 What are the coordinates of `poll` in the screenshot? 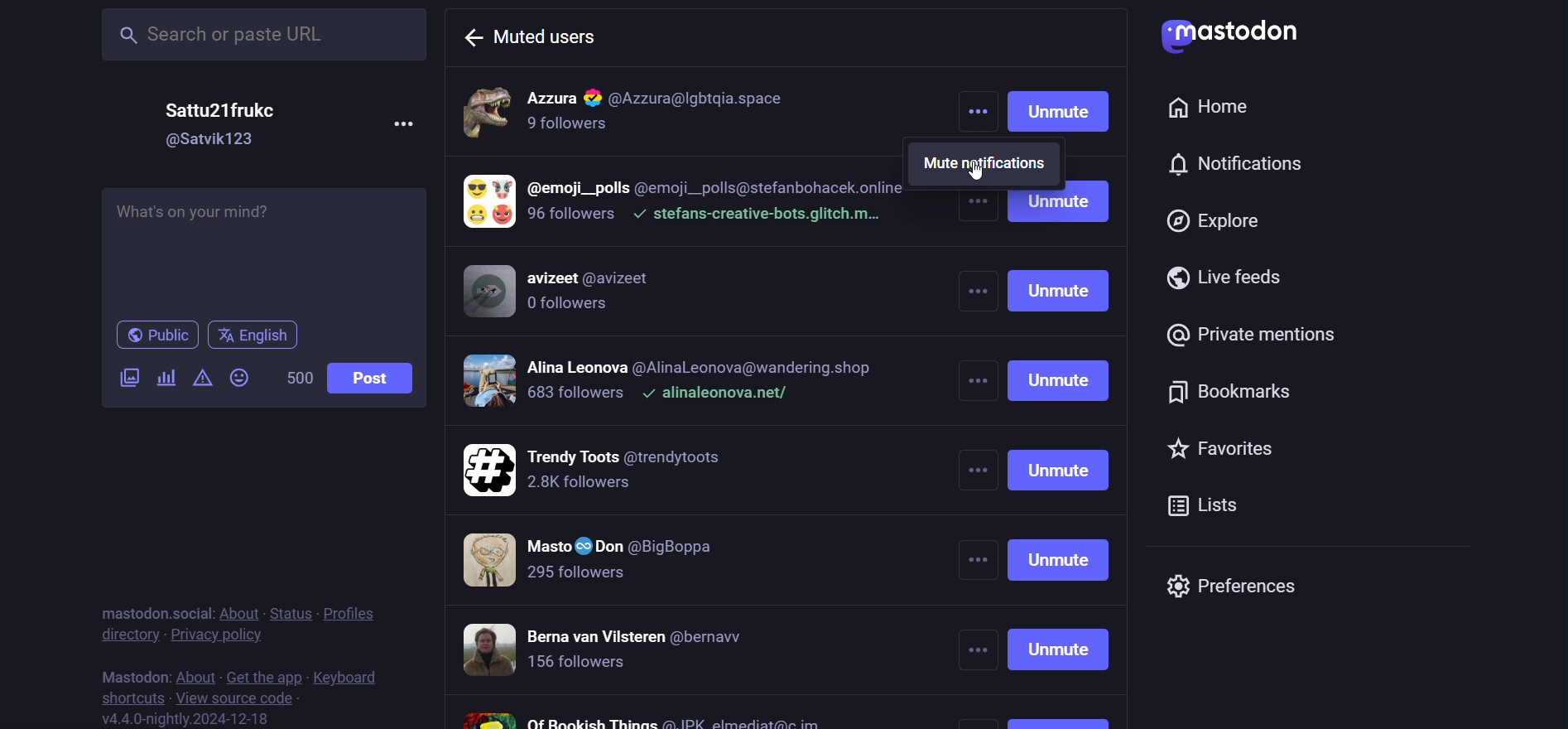 It's located at (165, 379).